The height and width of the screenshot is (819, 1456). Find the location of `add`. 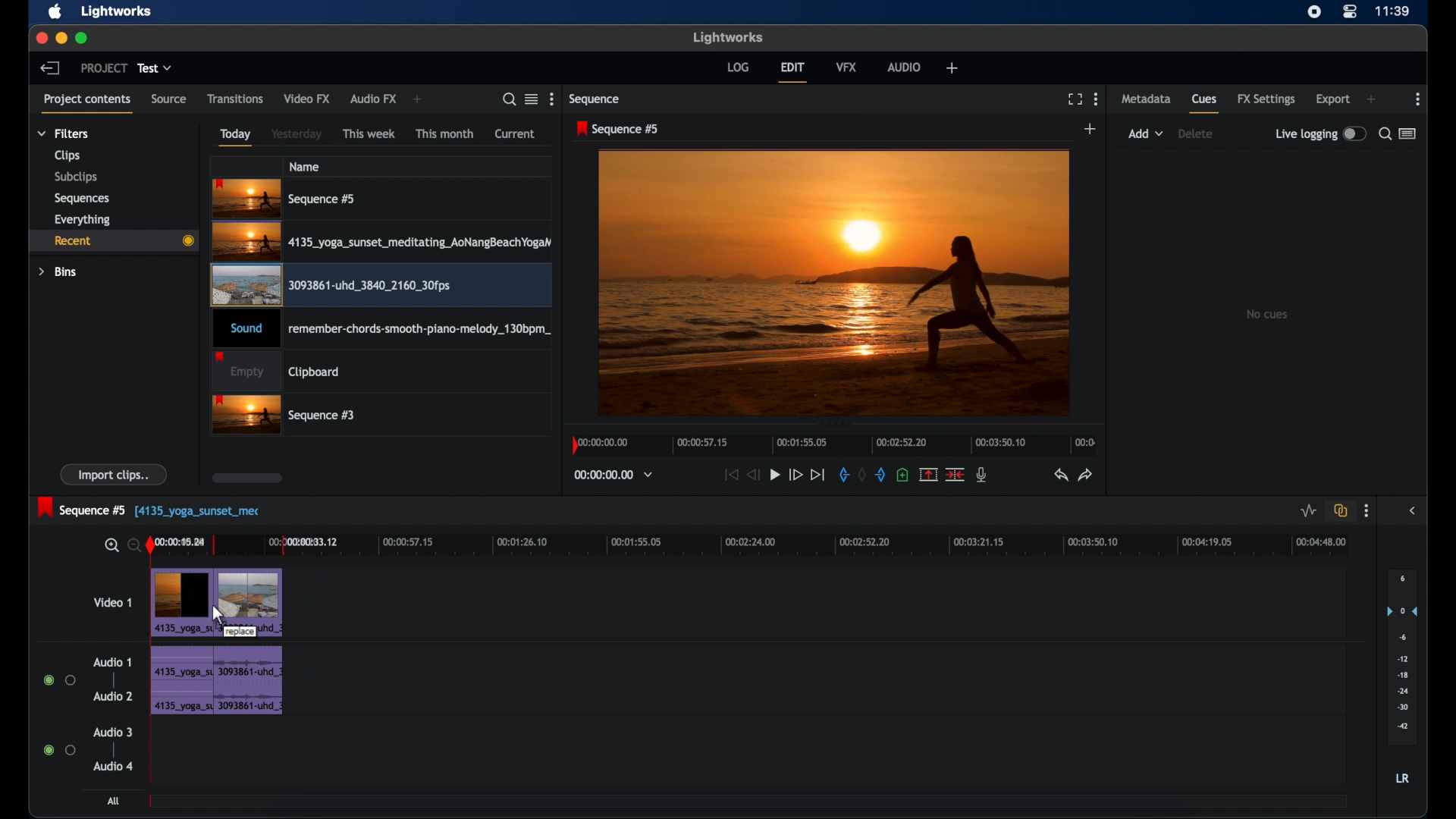

add is located at coordinates (1146, 133).